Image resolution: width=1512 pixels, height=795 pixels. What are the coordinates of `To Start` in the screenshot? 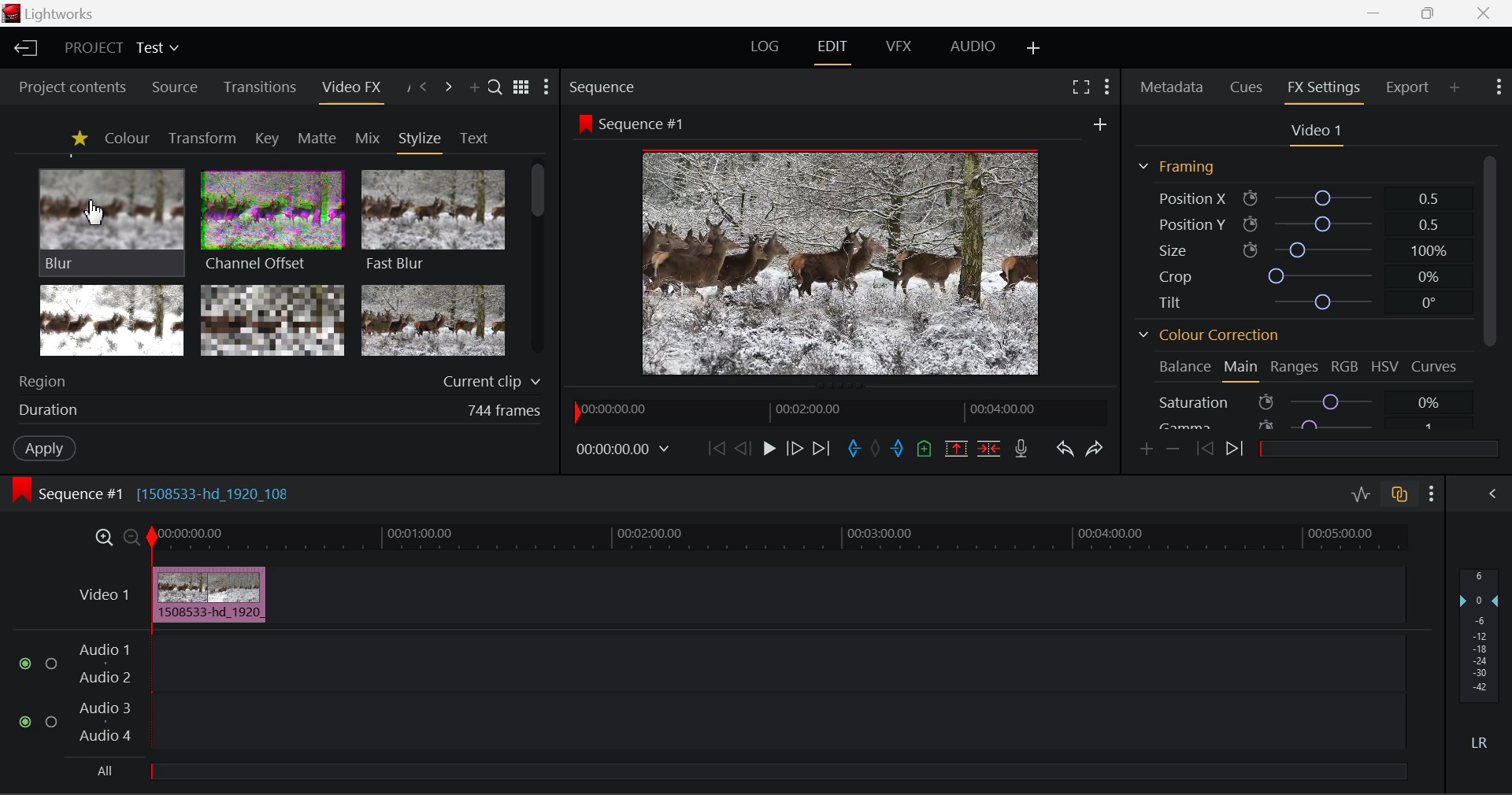 It's located at (714, 447).